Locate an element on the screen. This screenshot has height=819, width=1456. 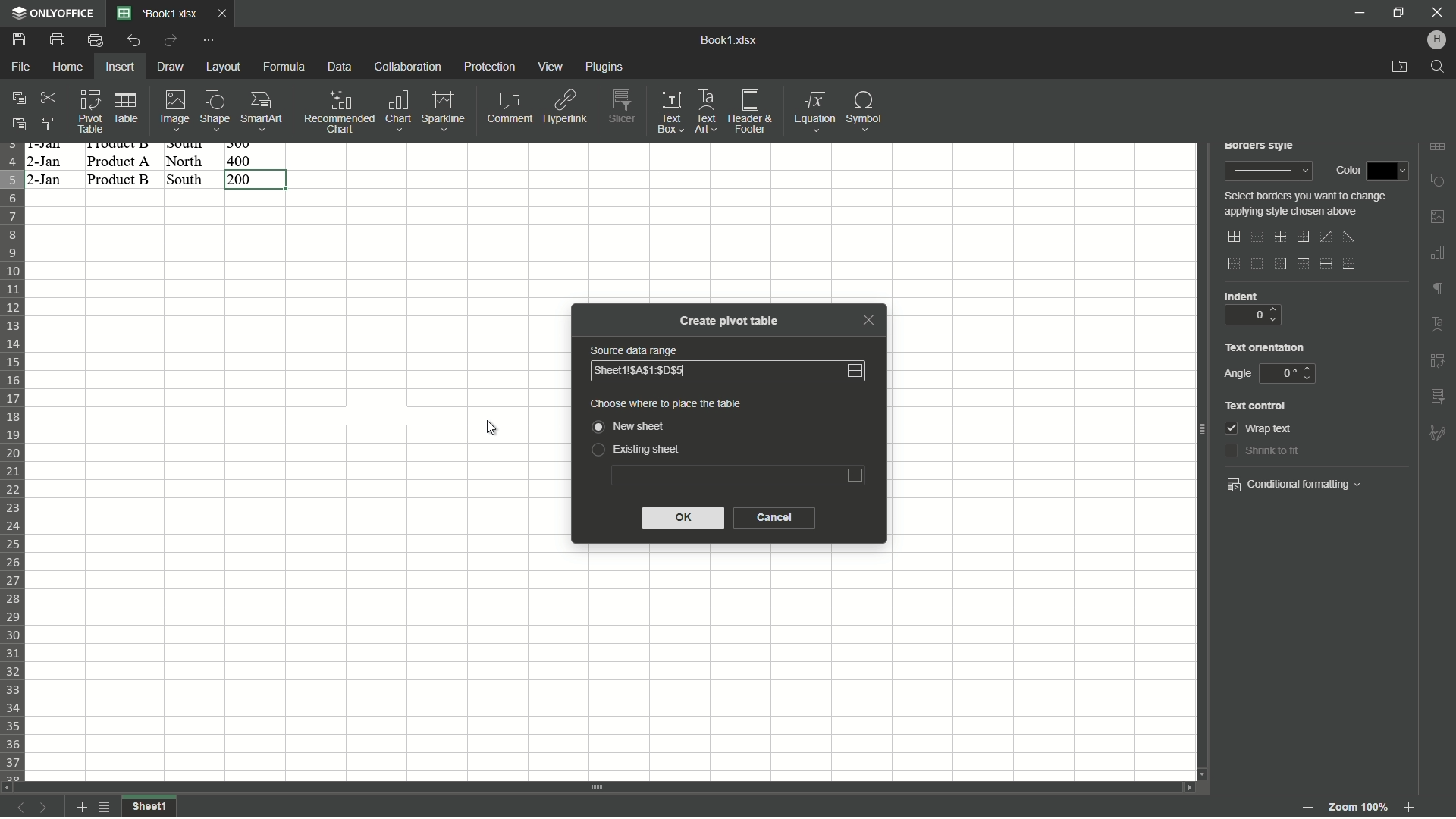
text control is located at coordinates (1257, 406).